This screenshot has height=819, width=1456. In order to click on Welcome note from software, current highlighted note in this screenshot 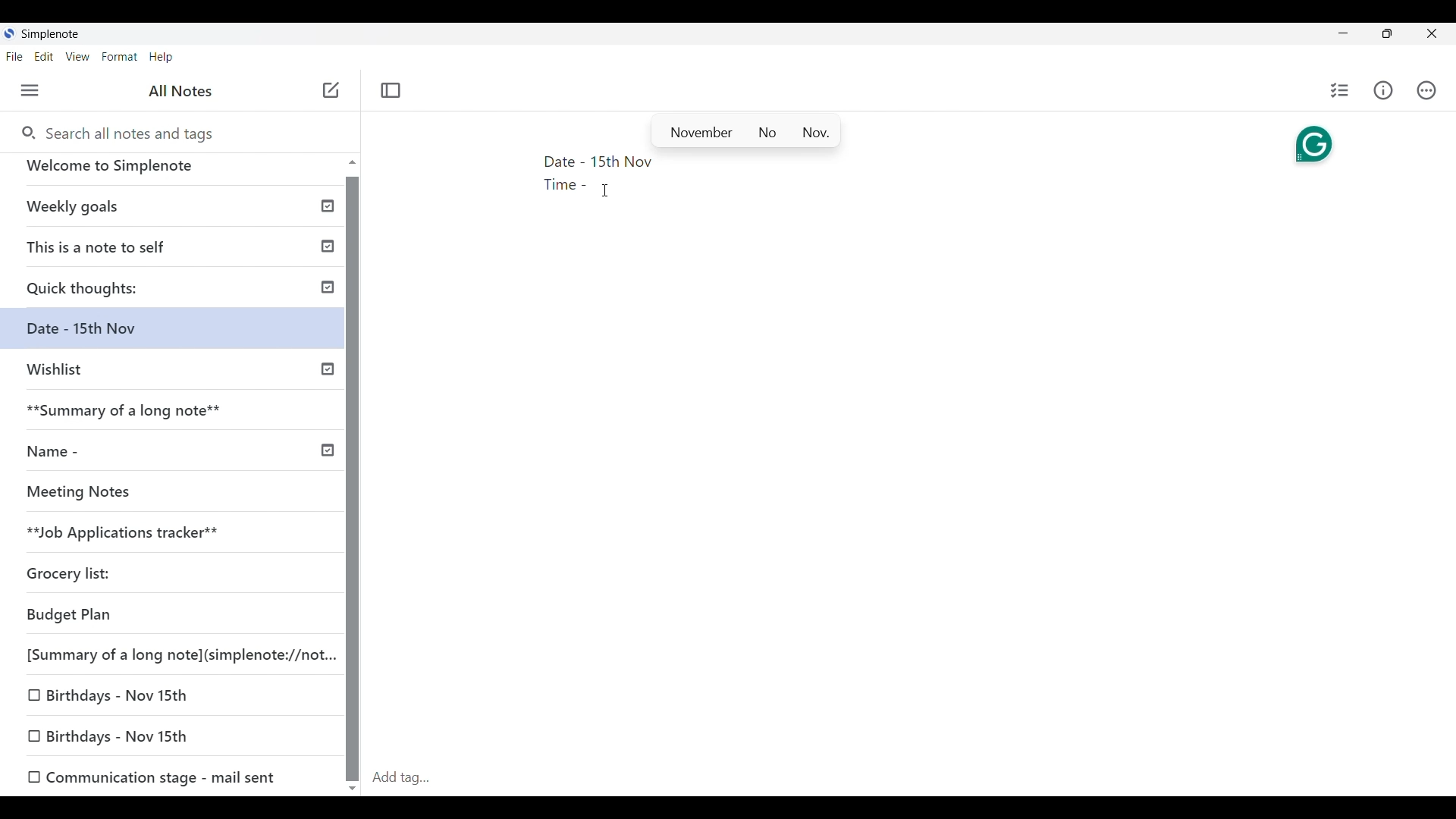, I will do `click(173, 172)`.